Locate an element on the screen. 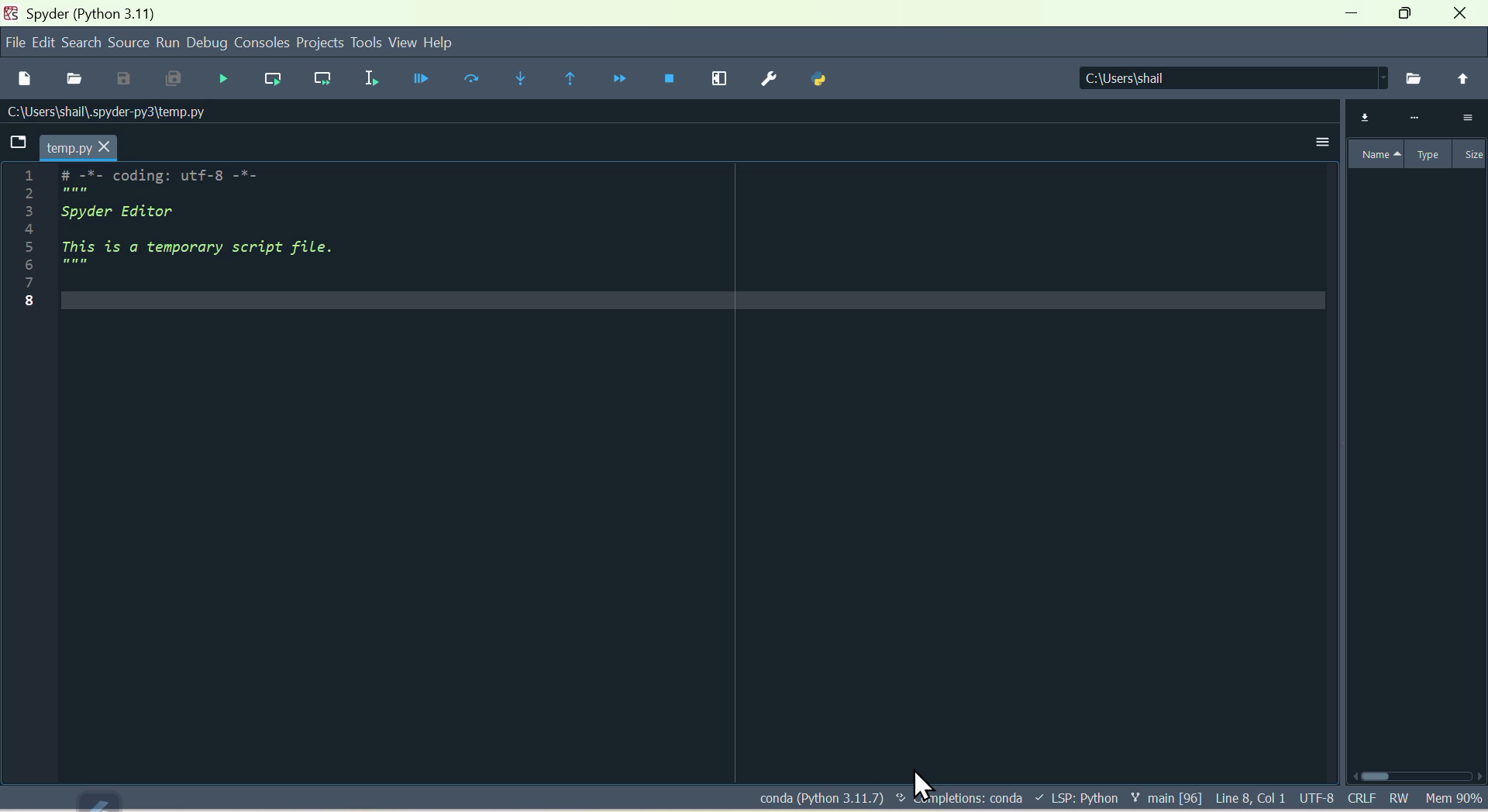  Stop debugging is located at coordinates (664, 79).